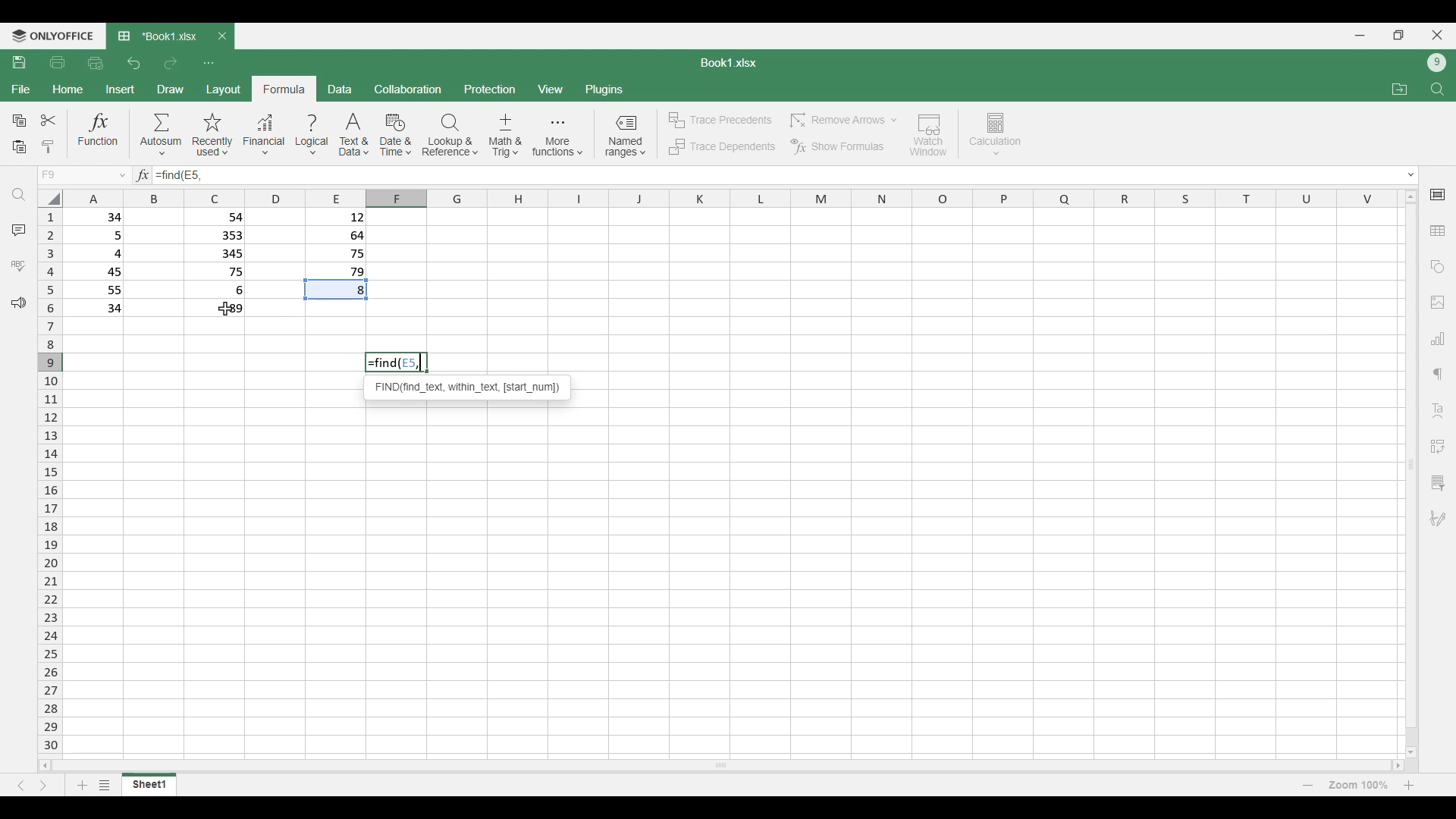 Image resolution: width=1456 pixels, height=819 pixels. Describe the element at coordinates (1358, 785) in the screenshot. I see `Current zoom factor` at that location.